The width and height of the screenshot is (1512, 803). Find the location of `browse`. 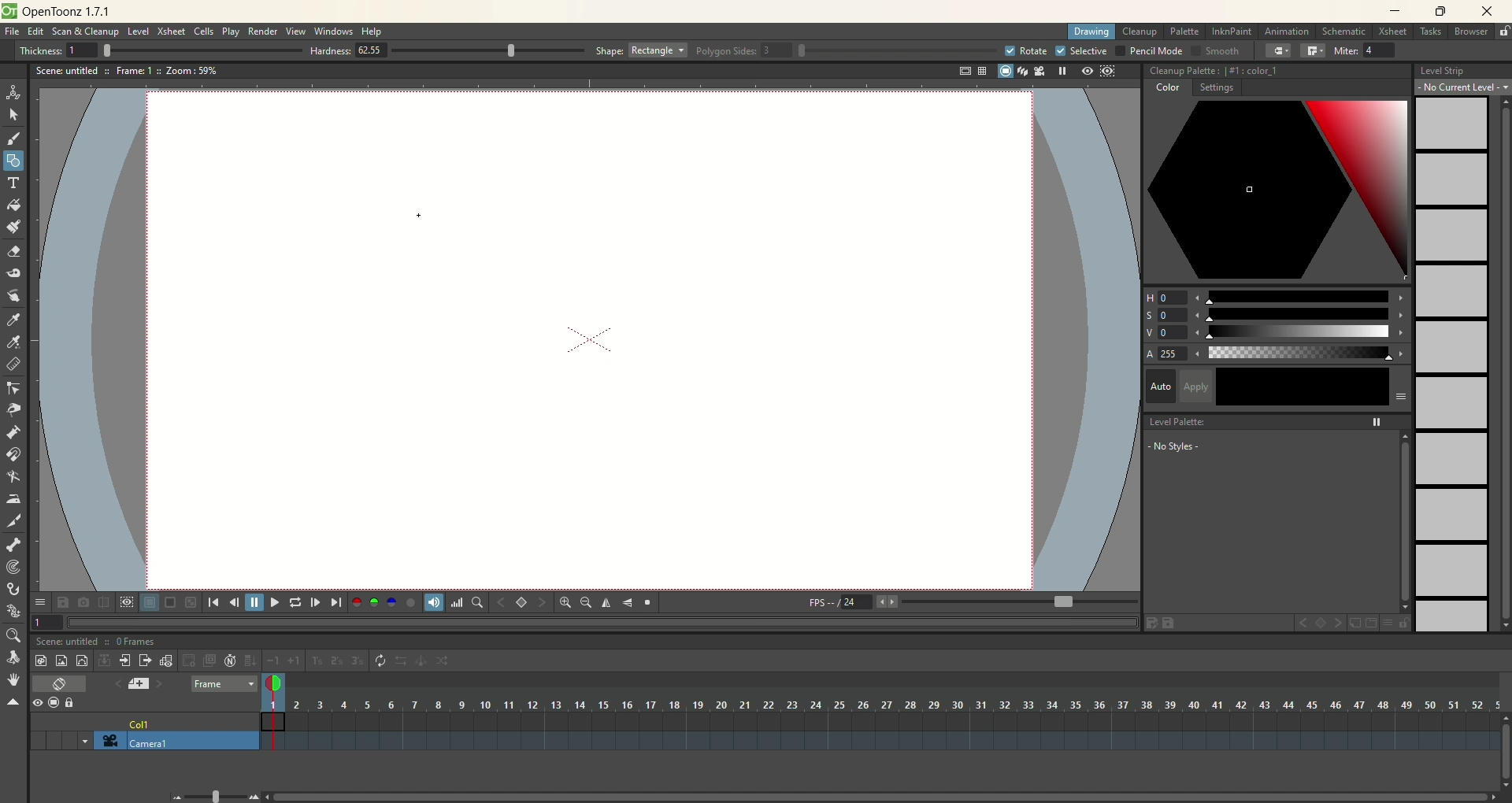

browse is located at coordinates (1472, 32).